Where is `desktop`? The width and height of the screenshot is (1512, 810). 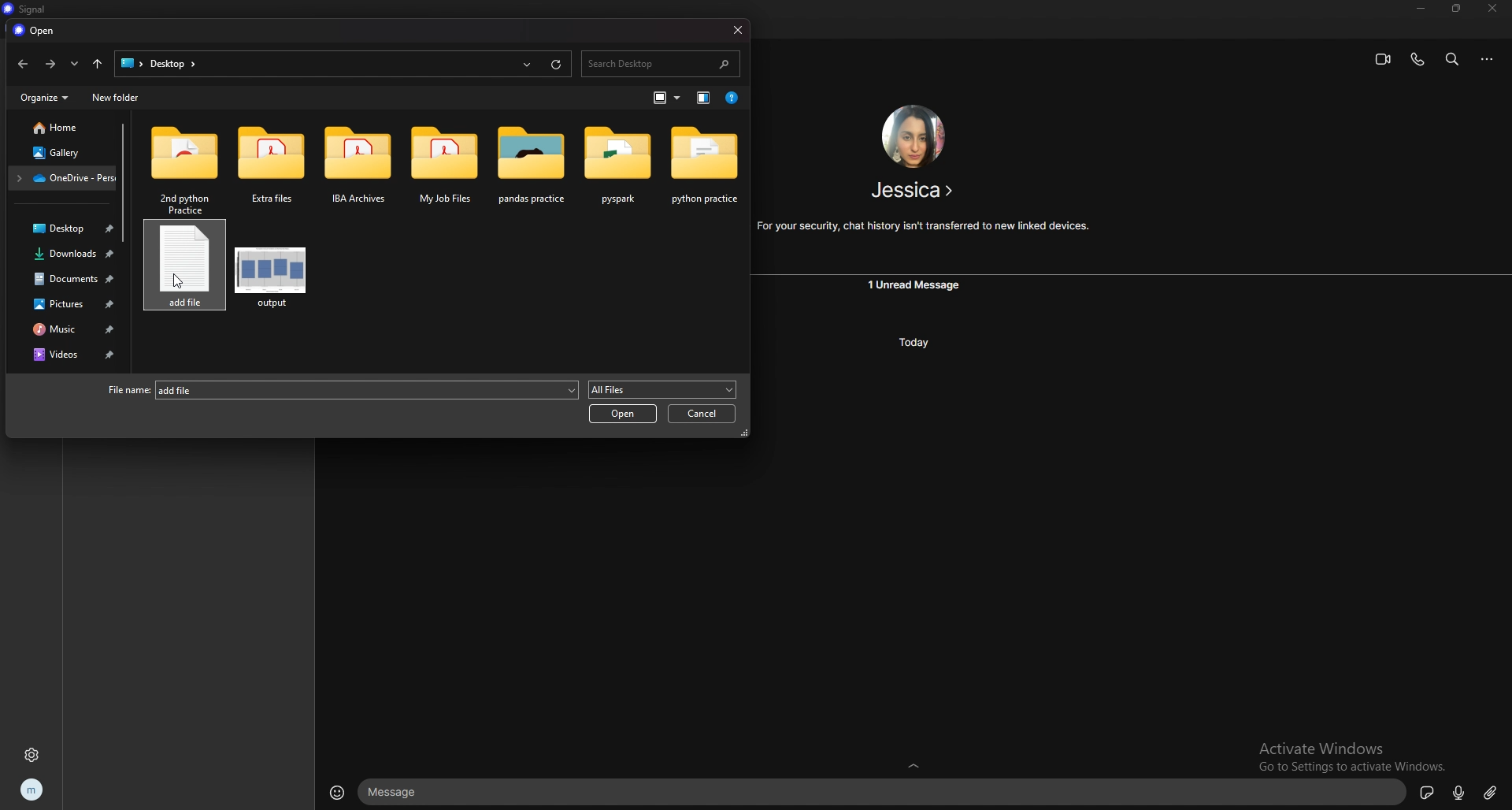
desktop is located at coordinates (128, 62).